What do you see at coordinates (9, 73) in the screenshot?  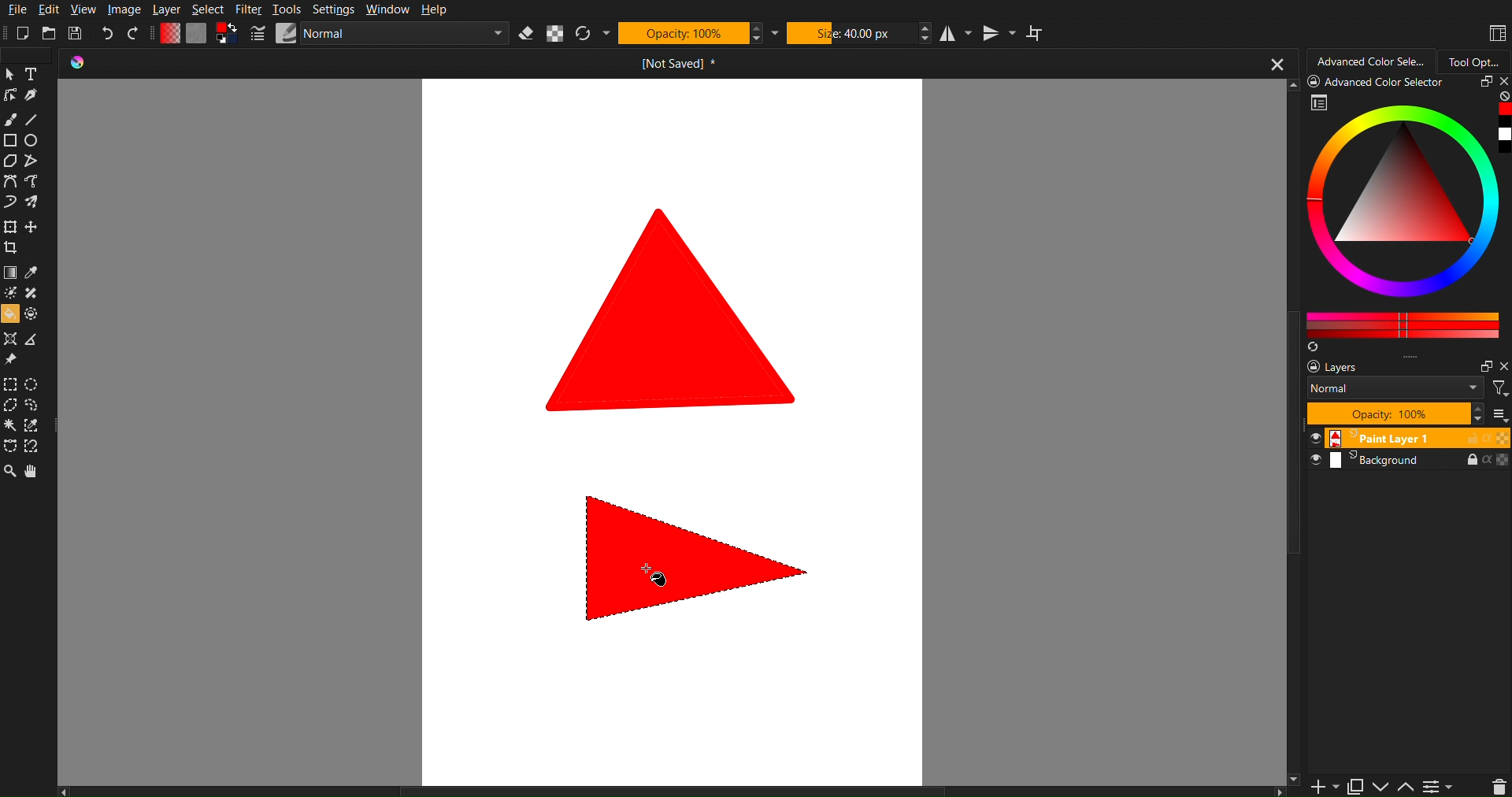 I see `Pointer` at bounding box center [9, 73].